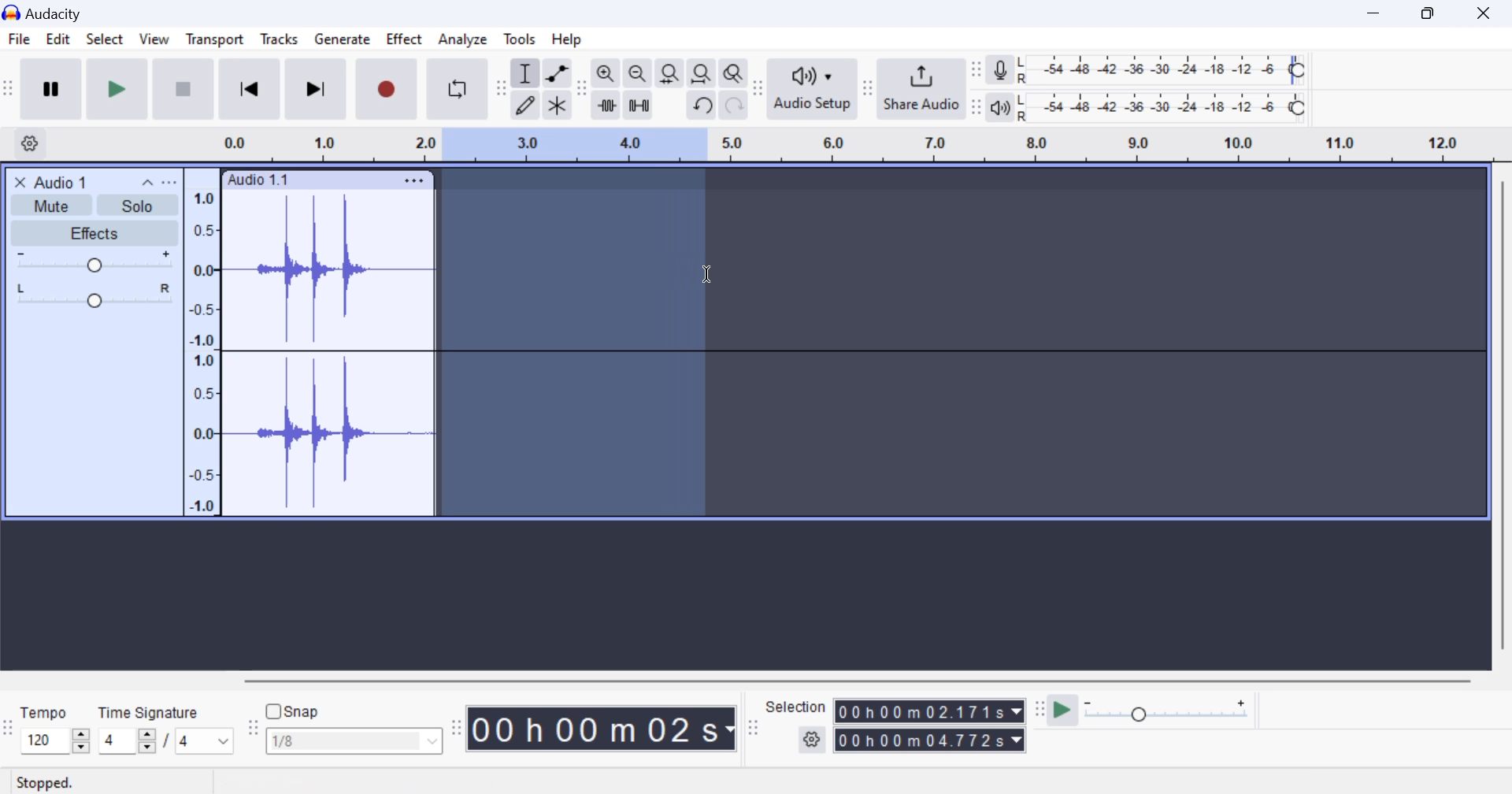 The image size is (1512, 794). Describe the element at coordinates (1432, 12) in the screenshot. I see `Minimize` at that location.